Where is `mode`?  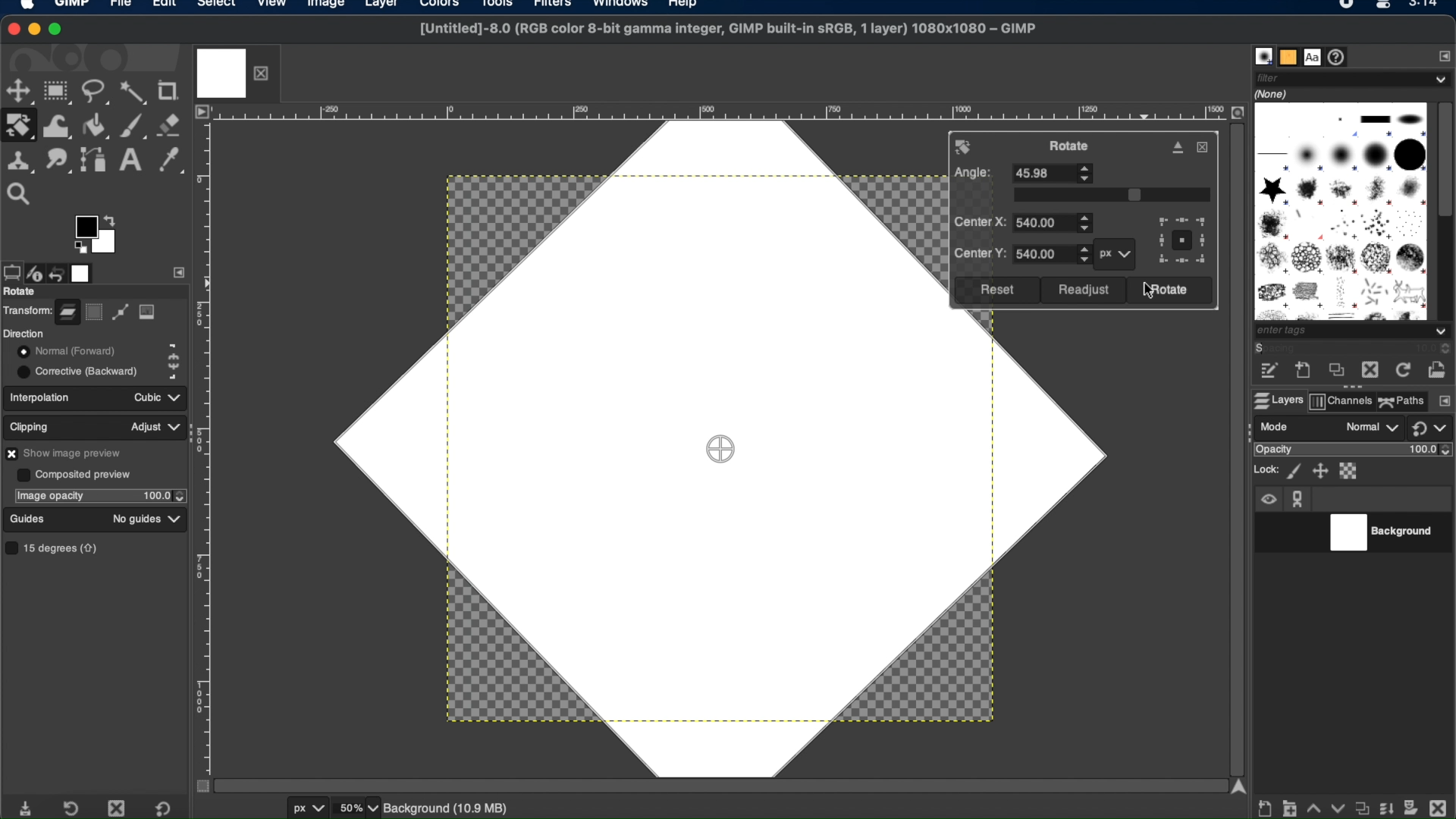 mode is located at coordinates (1276, 426).